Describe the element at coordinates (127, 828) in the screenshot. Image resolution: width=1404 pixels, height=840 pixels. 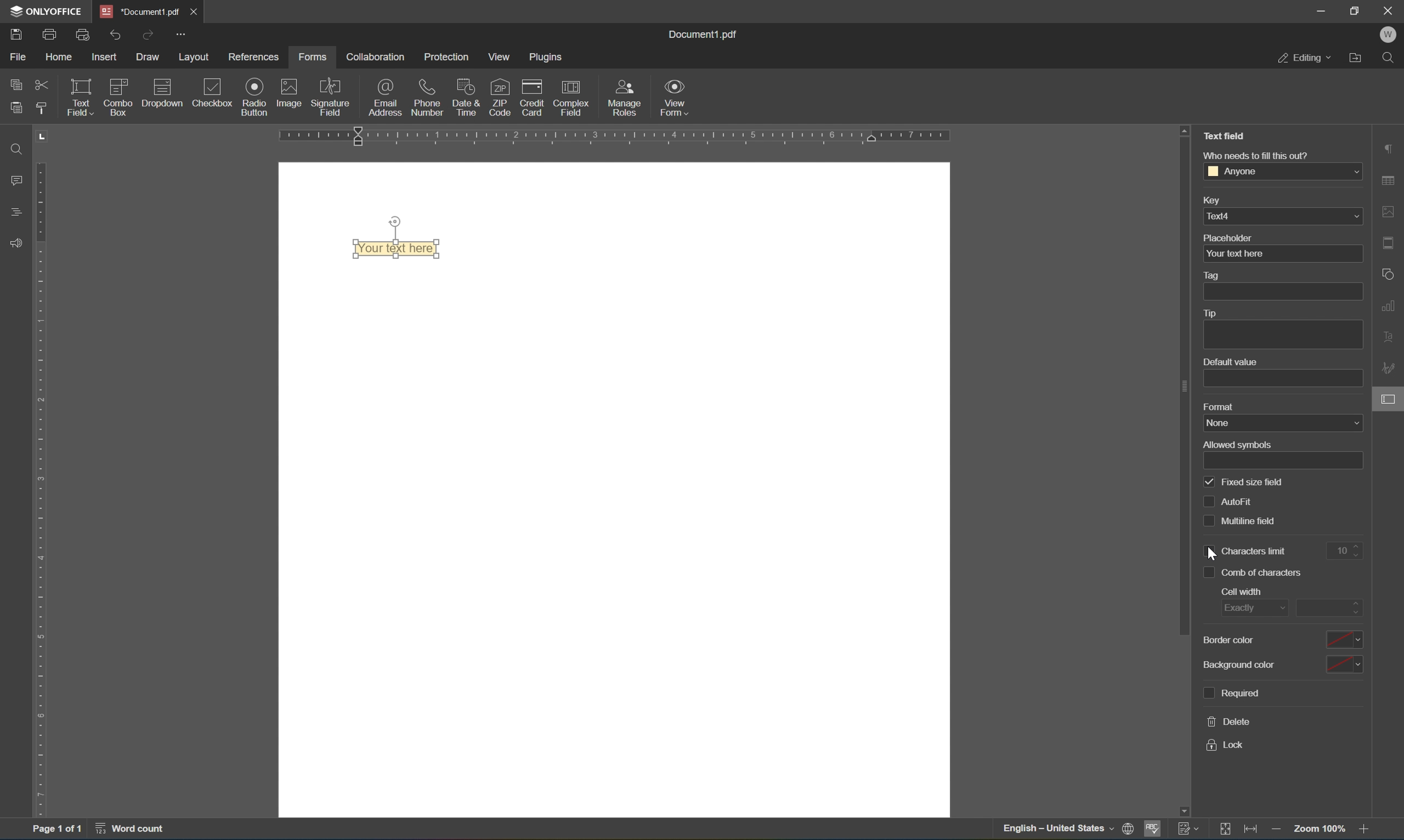
I see `word count` at that location.